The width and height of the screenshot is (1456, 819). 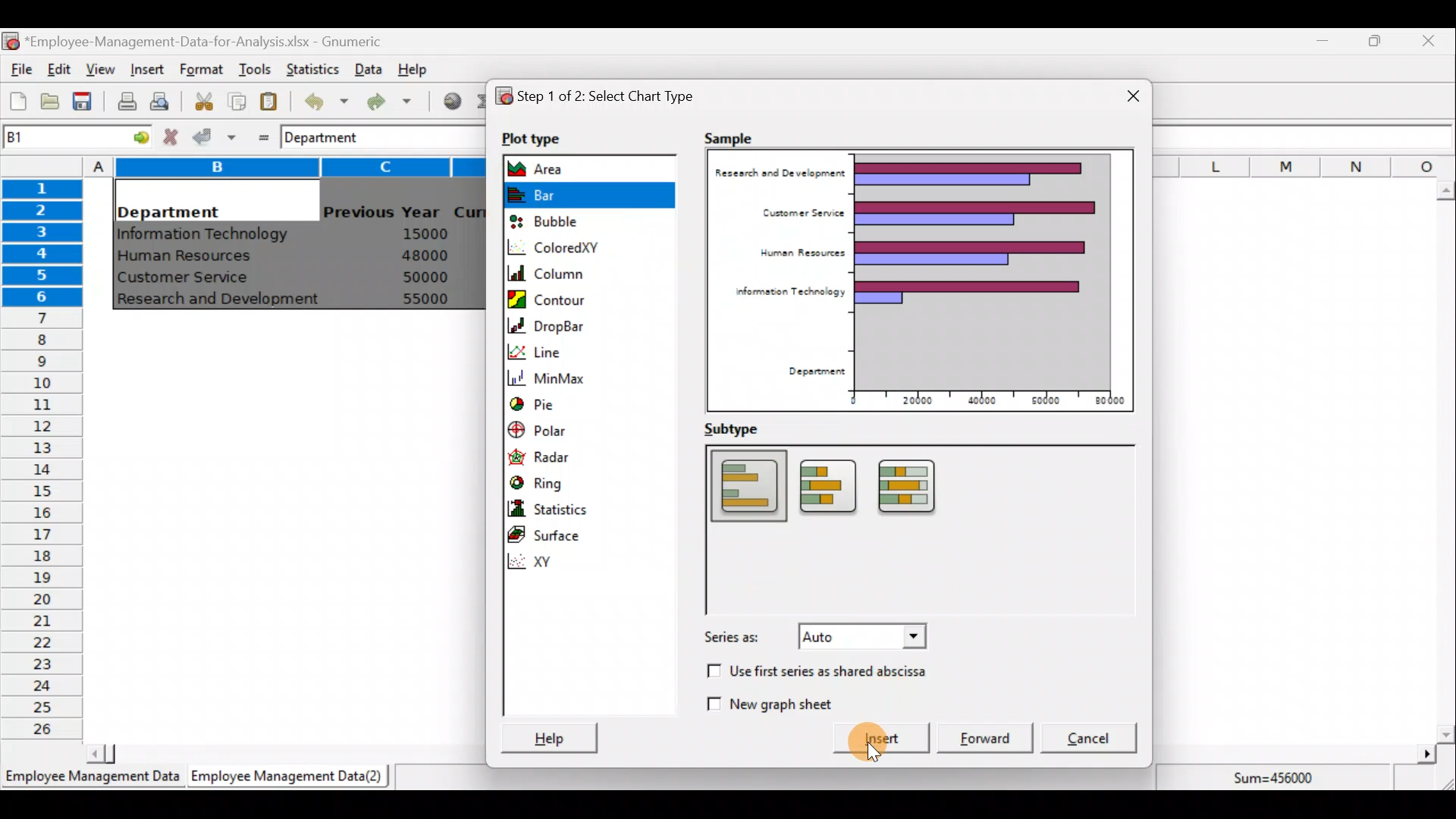 I want to click on Gnumeric logo, so click(x=11, y=42).